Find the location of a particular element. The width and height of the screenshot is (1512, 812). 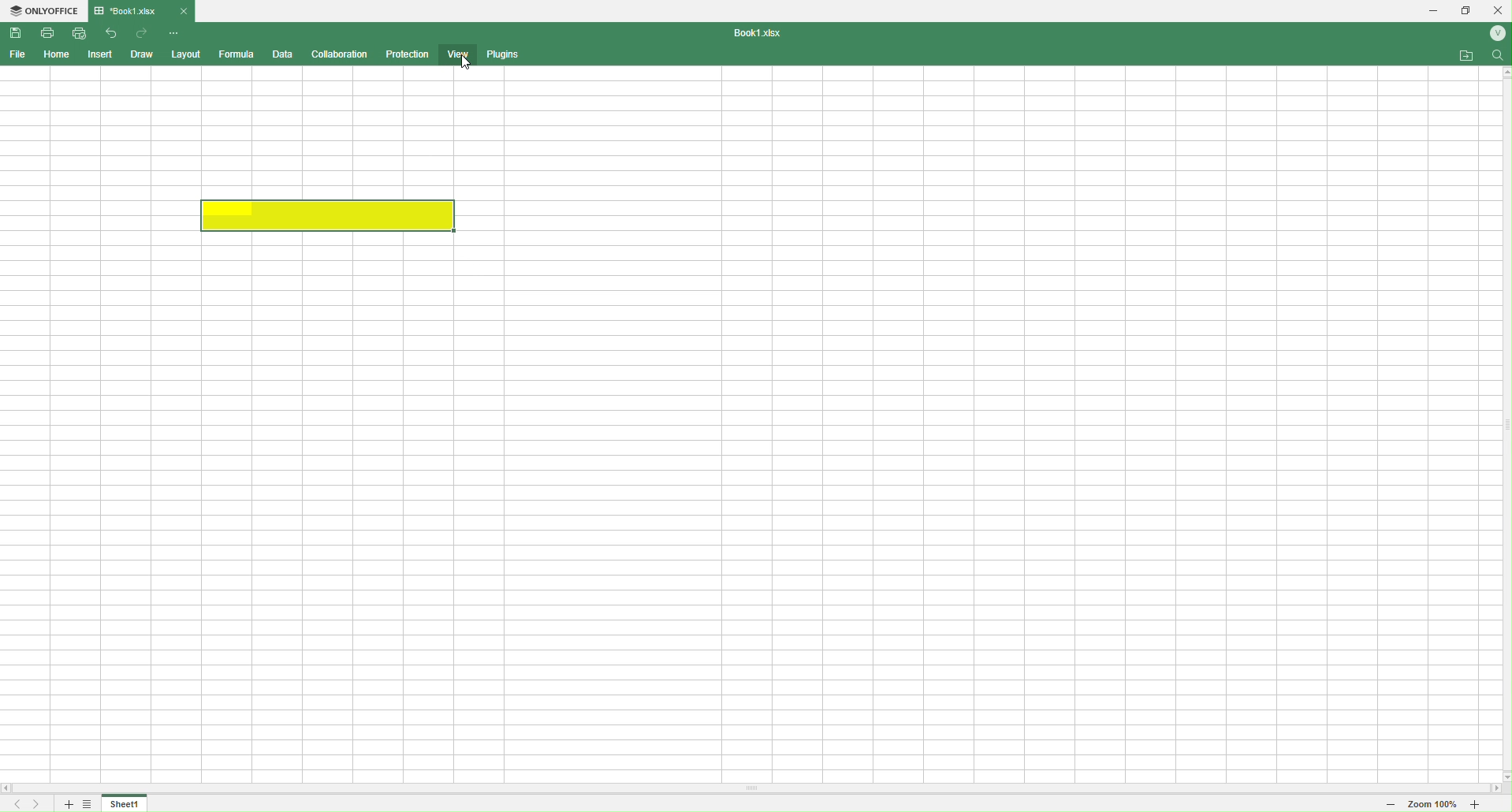

Close is located at coordinates (184, 10).